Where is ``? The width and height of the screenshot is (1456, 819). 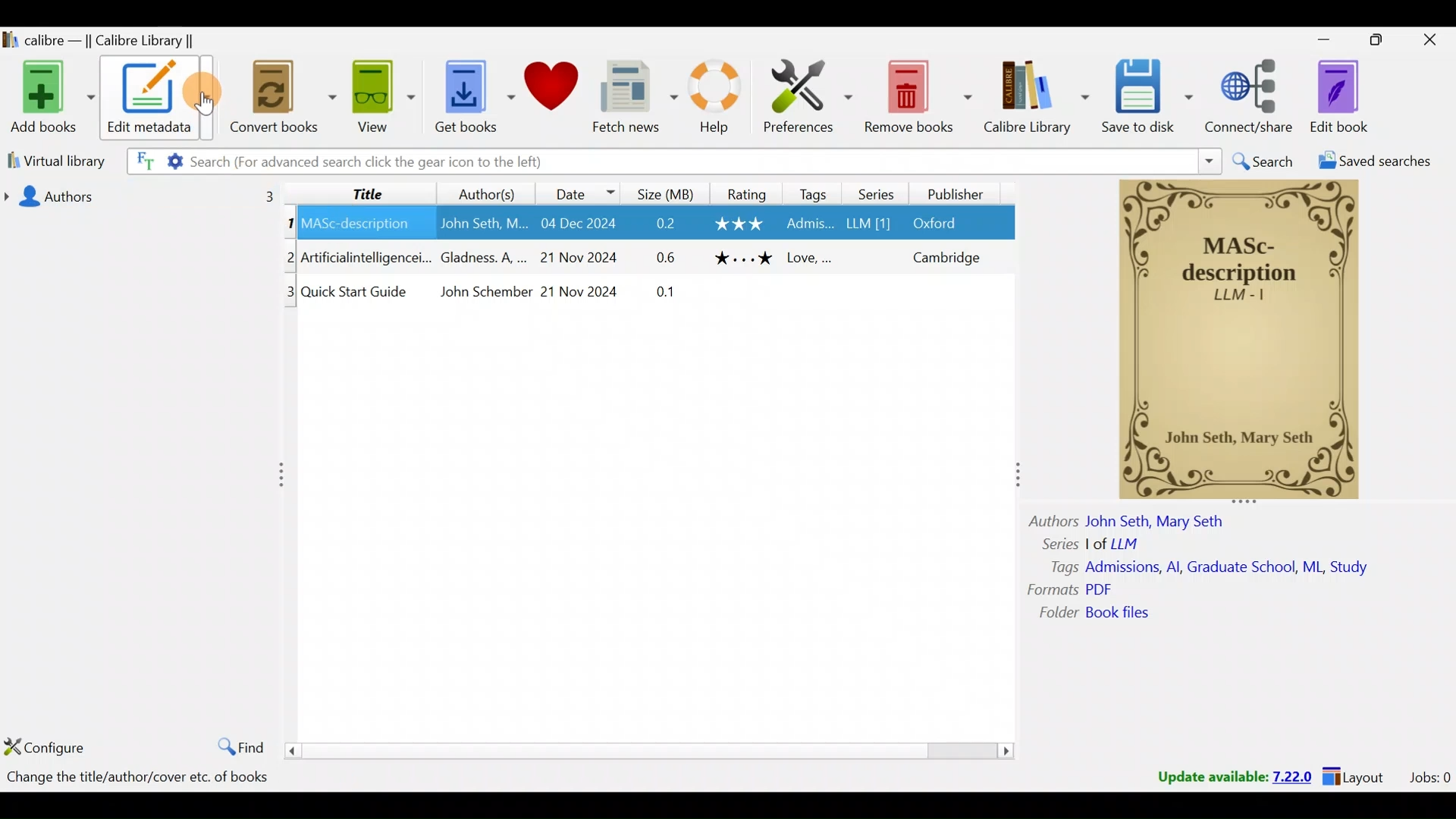  is located at coordinates (368, 258).